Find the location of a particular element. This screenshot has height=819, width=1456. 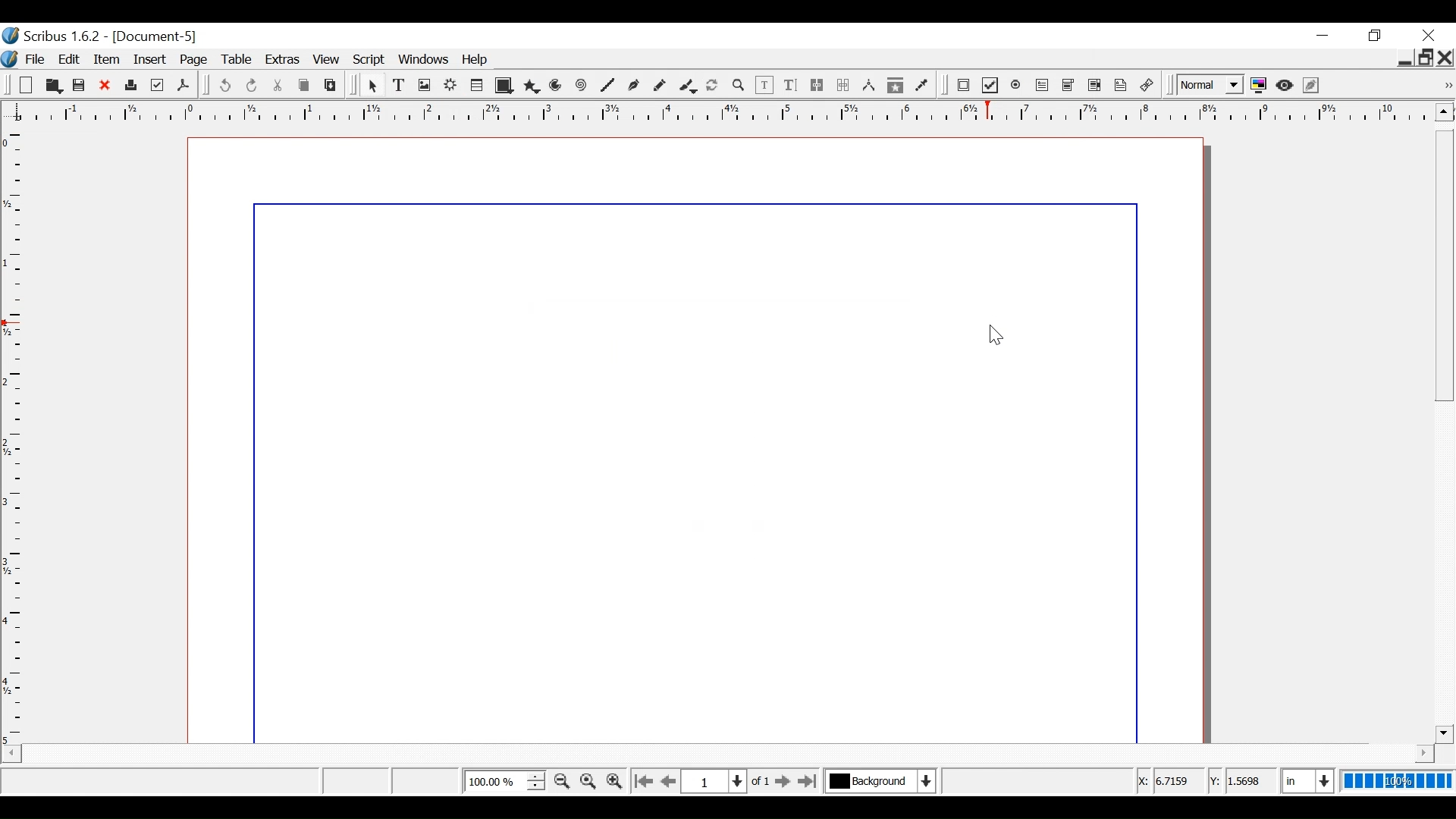

Edit Contents of frame is located at coordinates (764, 86).